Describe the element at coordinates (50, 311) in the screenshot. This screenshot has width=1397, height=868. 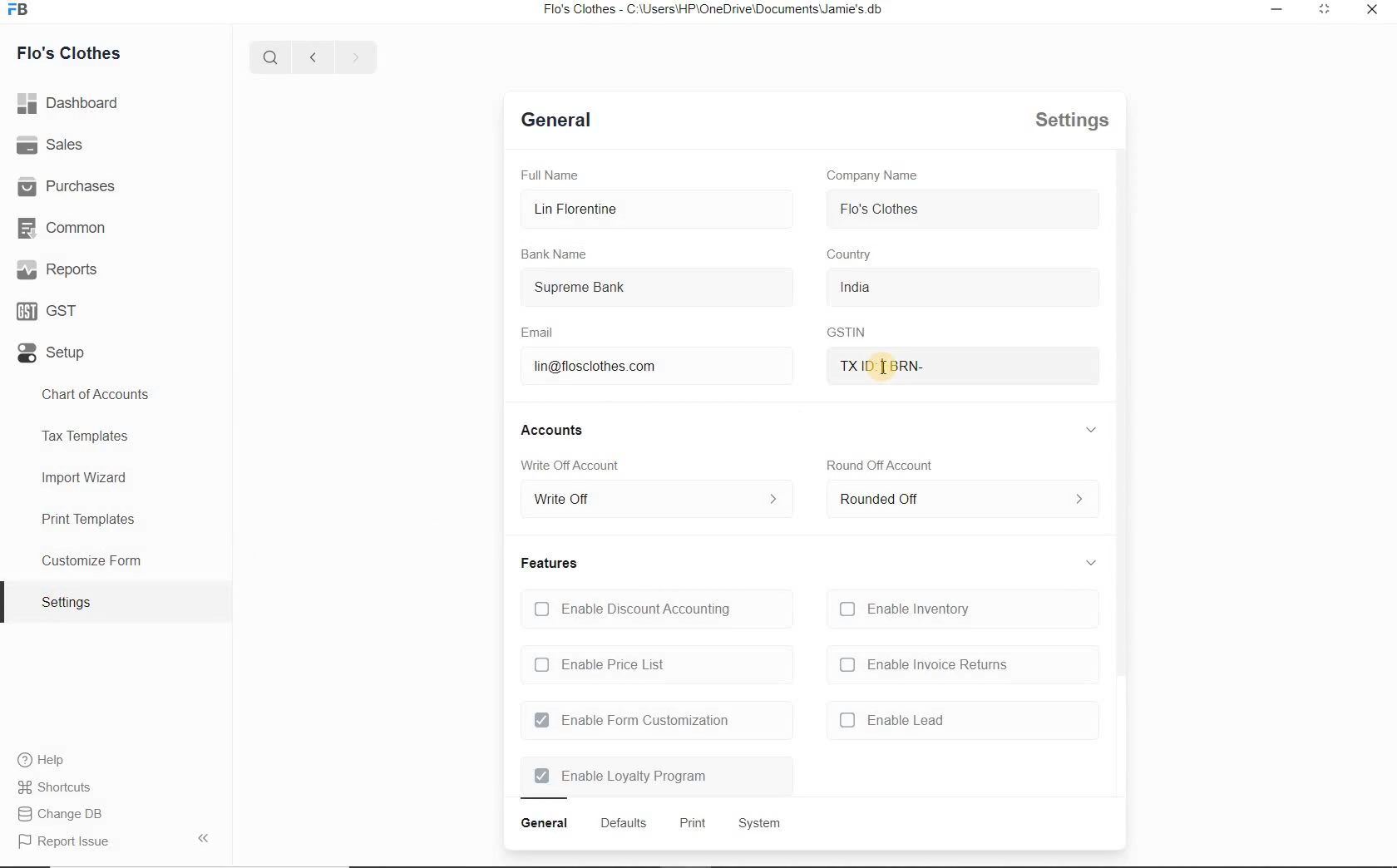
I see `GST` at that location.